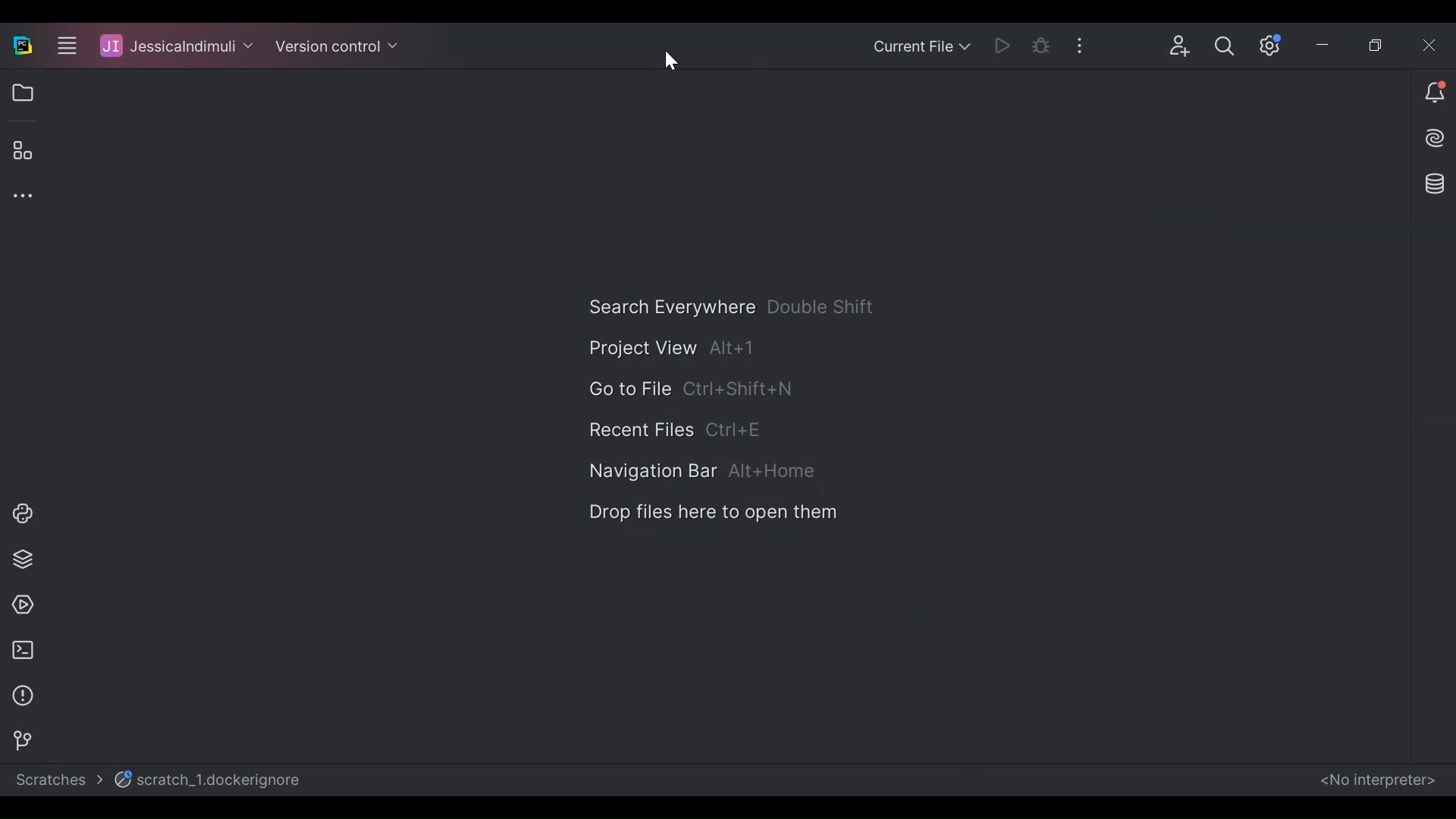 Image resolution: width=1456 pixels, height=819 pixels. What do you see at coordinates (21, 560) in the screenshot?
I see `Python Services` at bounding box center [21, 560].